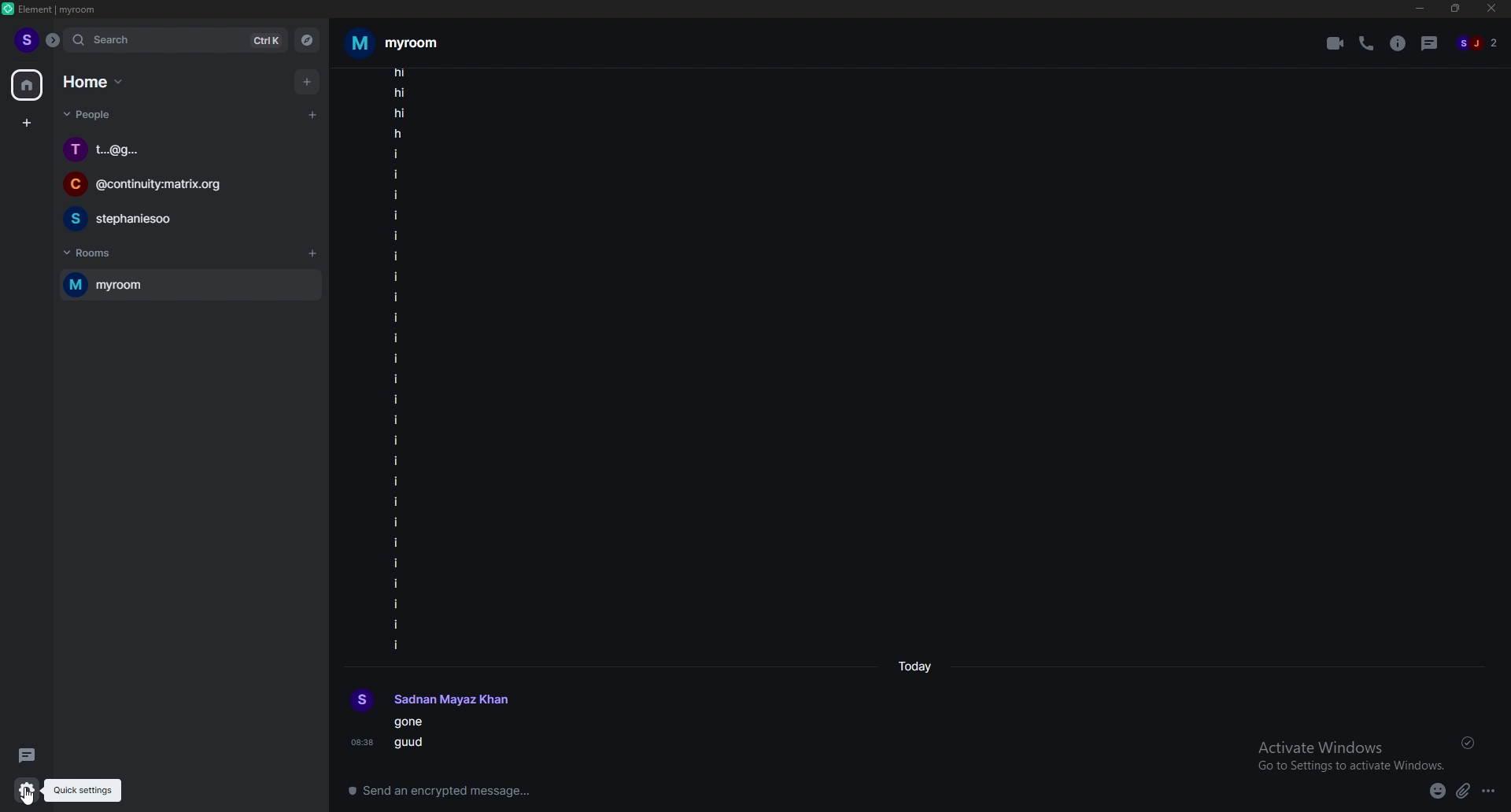 Image resolution: width=1511 pixels, height=812 pixels. I want to click on attachment, so click(1463, 792).